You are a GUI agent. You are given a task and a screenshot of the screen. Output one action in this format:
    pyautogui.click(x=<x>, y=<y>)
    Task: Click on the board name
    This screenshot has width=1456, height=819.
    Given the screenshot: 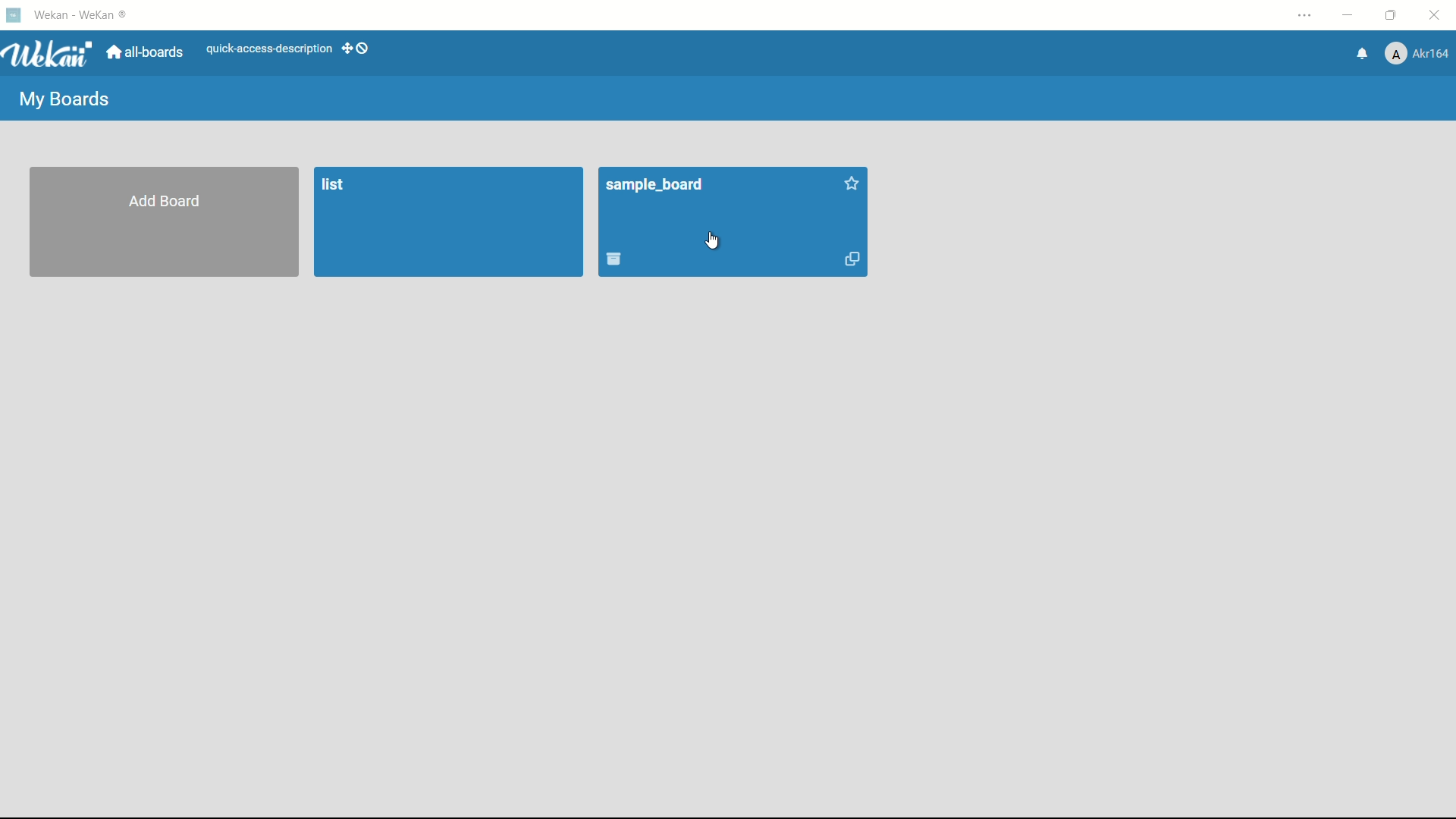 What is the action you would take?
    pyautogui.click(x=734, y=222)
    